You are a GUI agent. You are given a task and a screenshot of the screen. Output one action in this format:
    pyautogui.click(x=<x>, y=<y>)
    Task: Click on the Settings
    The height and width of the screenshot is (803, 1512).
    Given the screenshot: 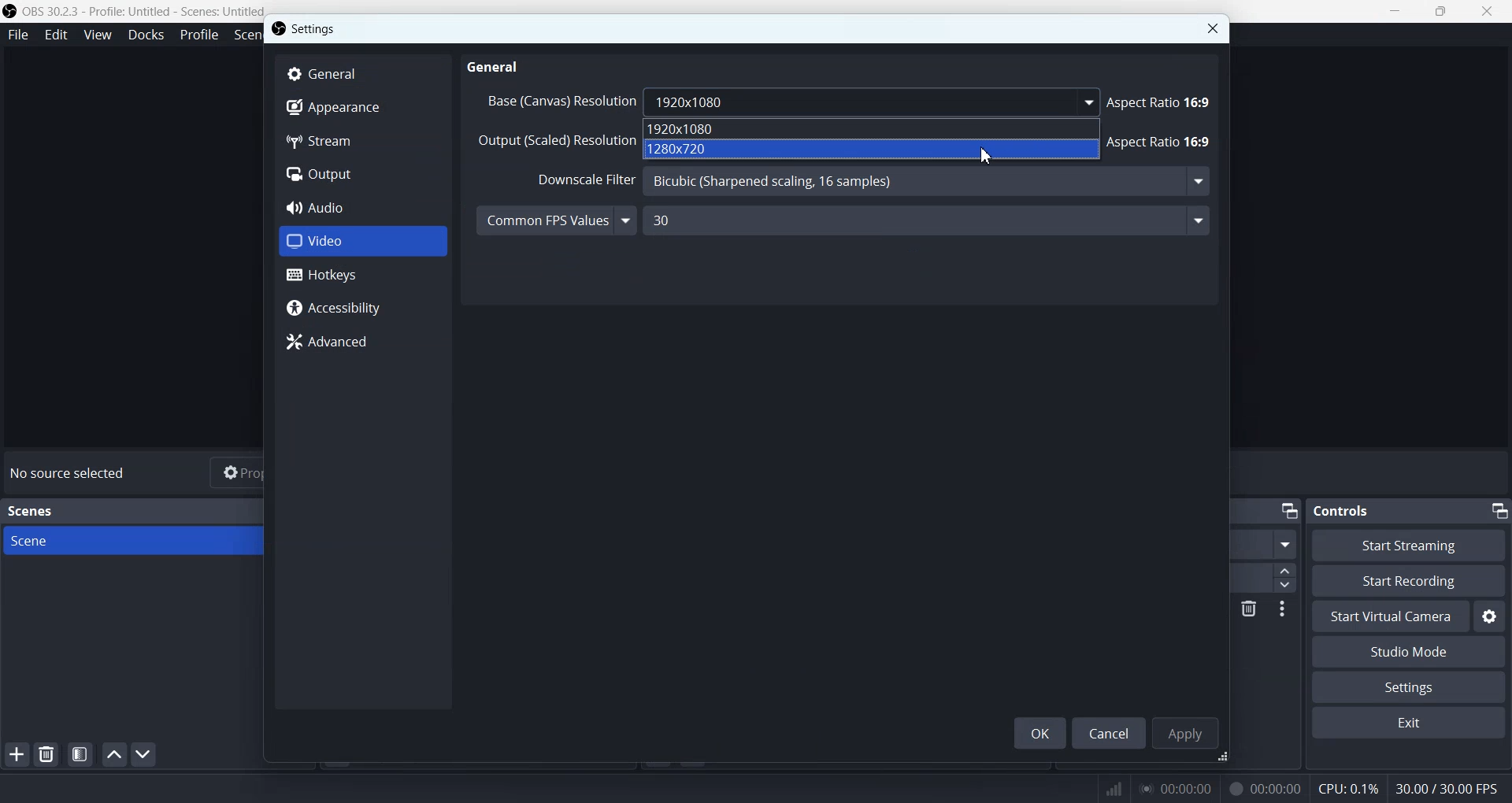 What is the action you would take?
    pyautogui.click(x=306, y=28)
    